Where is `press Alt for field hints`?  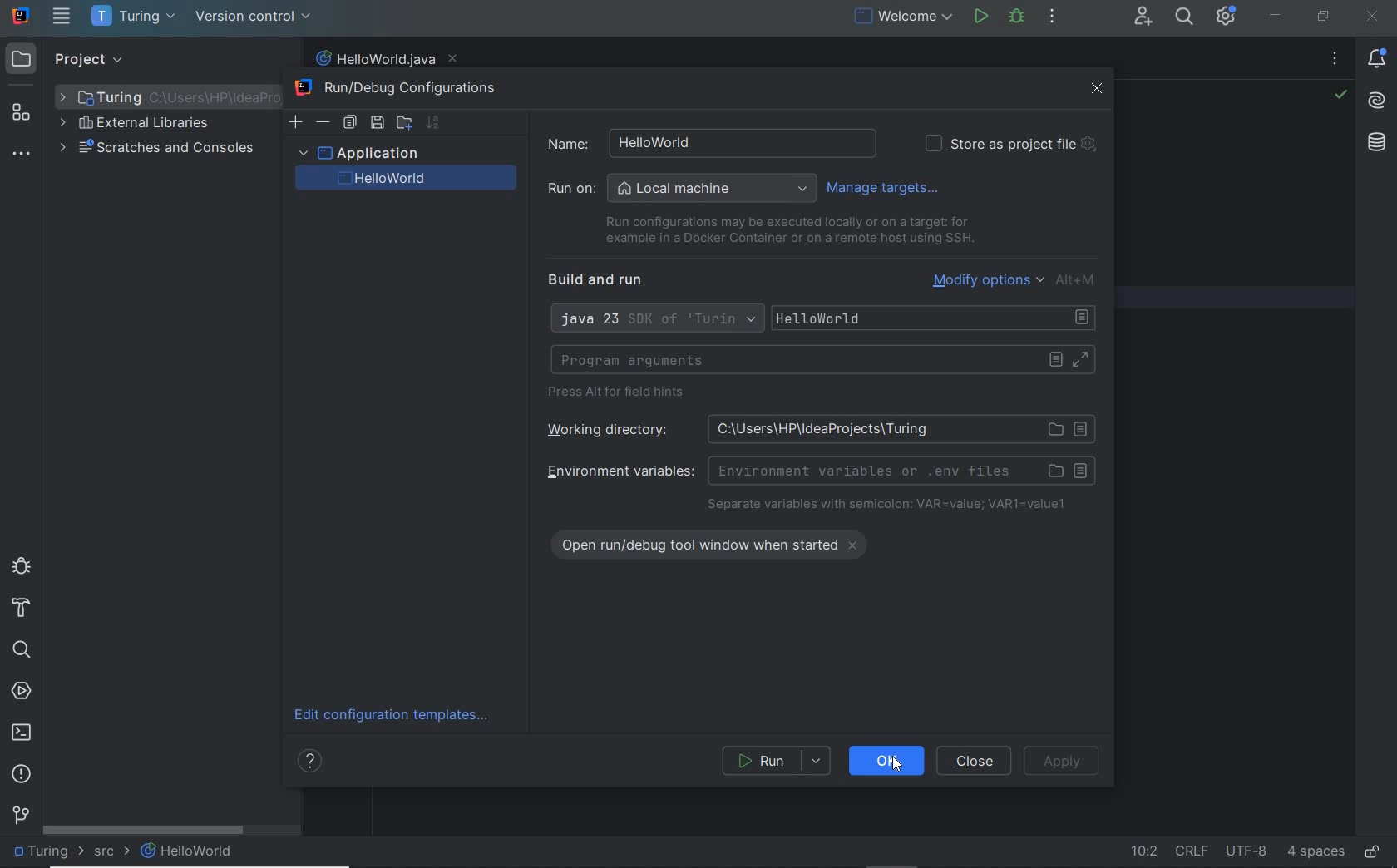 press Alt for field hints is located at coordinates (621, 394).